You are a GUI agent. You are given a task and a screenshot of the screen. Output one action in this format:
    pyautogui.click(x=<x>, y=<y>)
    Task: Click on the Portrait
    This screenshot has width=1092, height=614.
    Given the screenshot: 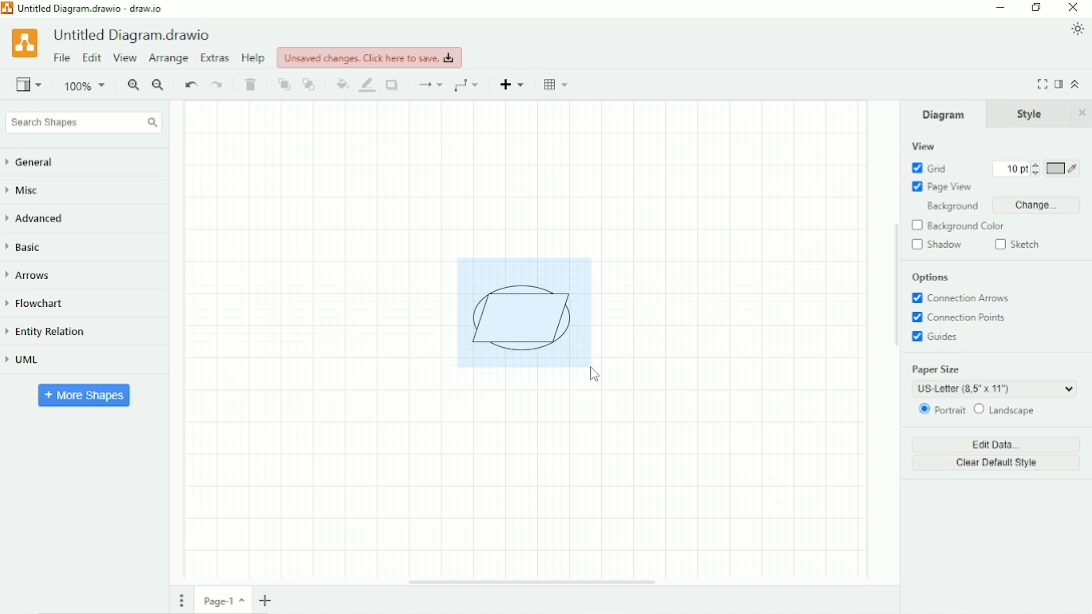 What is the action you would take?
    pyautogui.click(x=940, y=410)
    